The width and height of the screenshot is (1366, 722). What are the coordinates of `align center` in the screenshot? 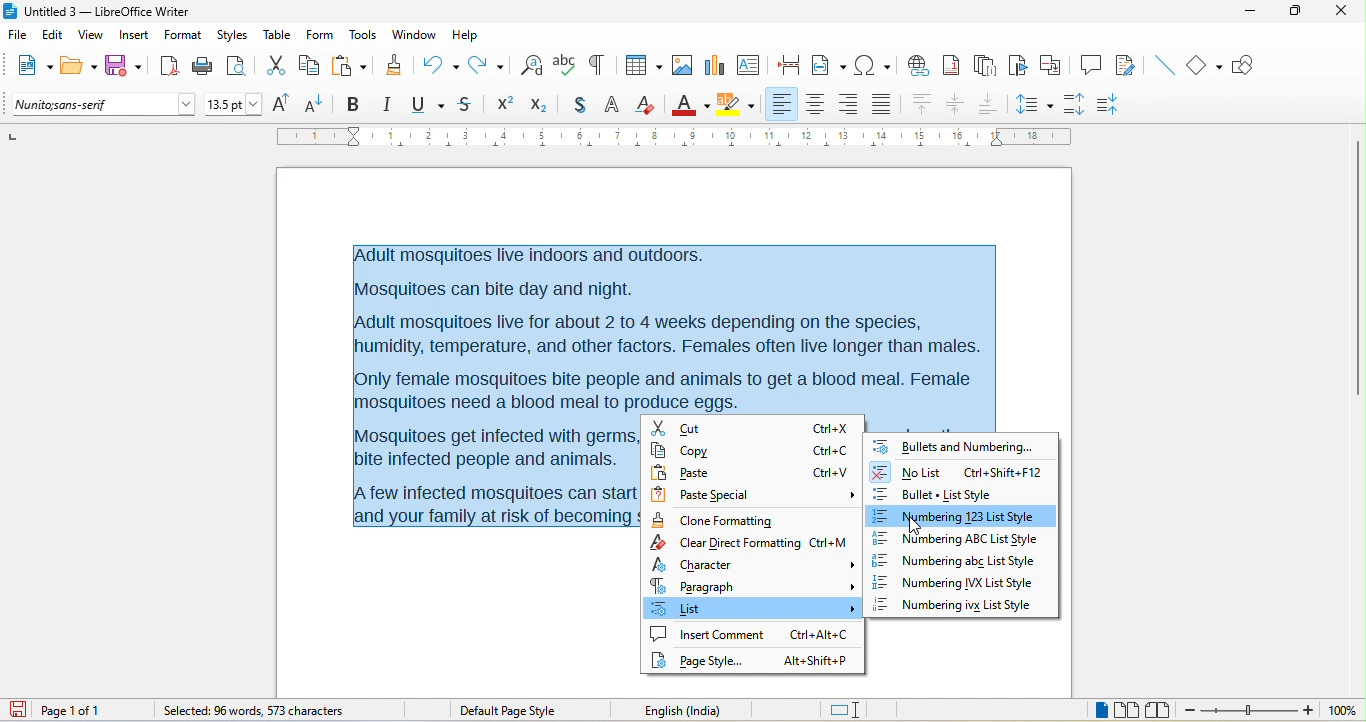 It's located at (817, 105).